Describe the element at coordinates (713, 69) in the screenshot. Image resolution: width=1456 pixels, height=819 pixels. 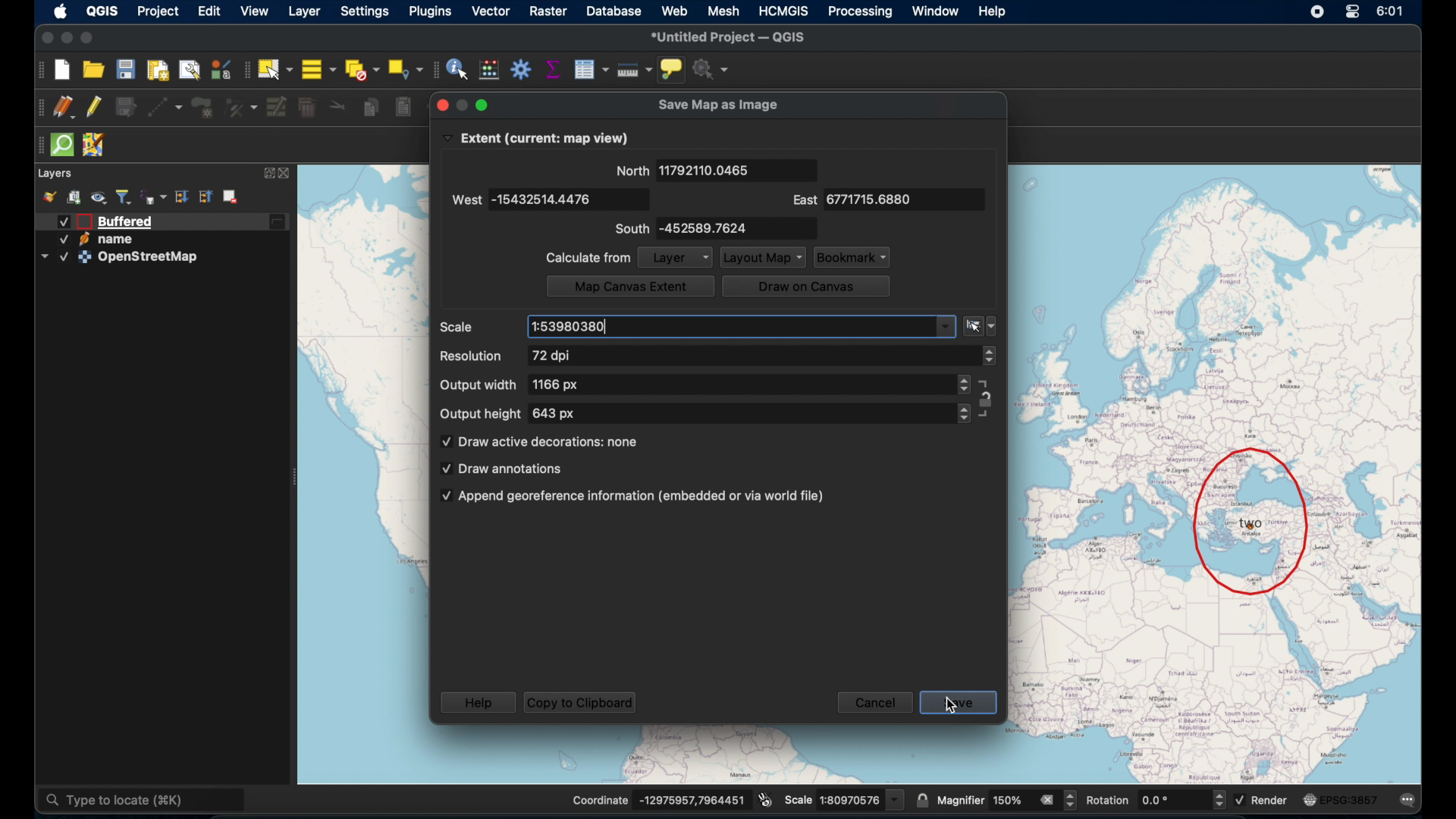
I see `no action selected` at that location.